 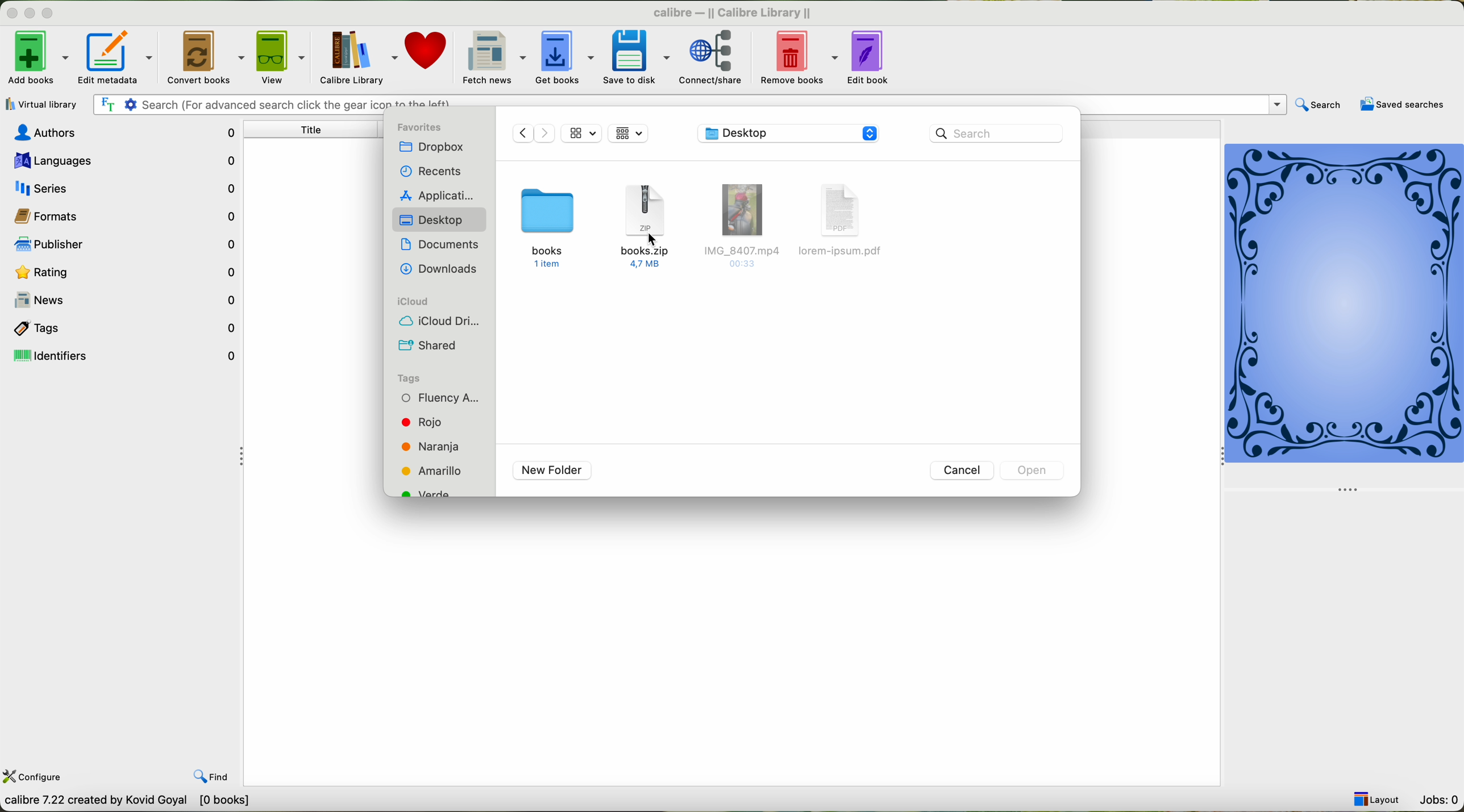 What do you see at coordinates (716, 58) in the screenshot?
I see `connect/share` at bounding box center [716, 58].